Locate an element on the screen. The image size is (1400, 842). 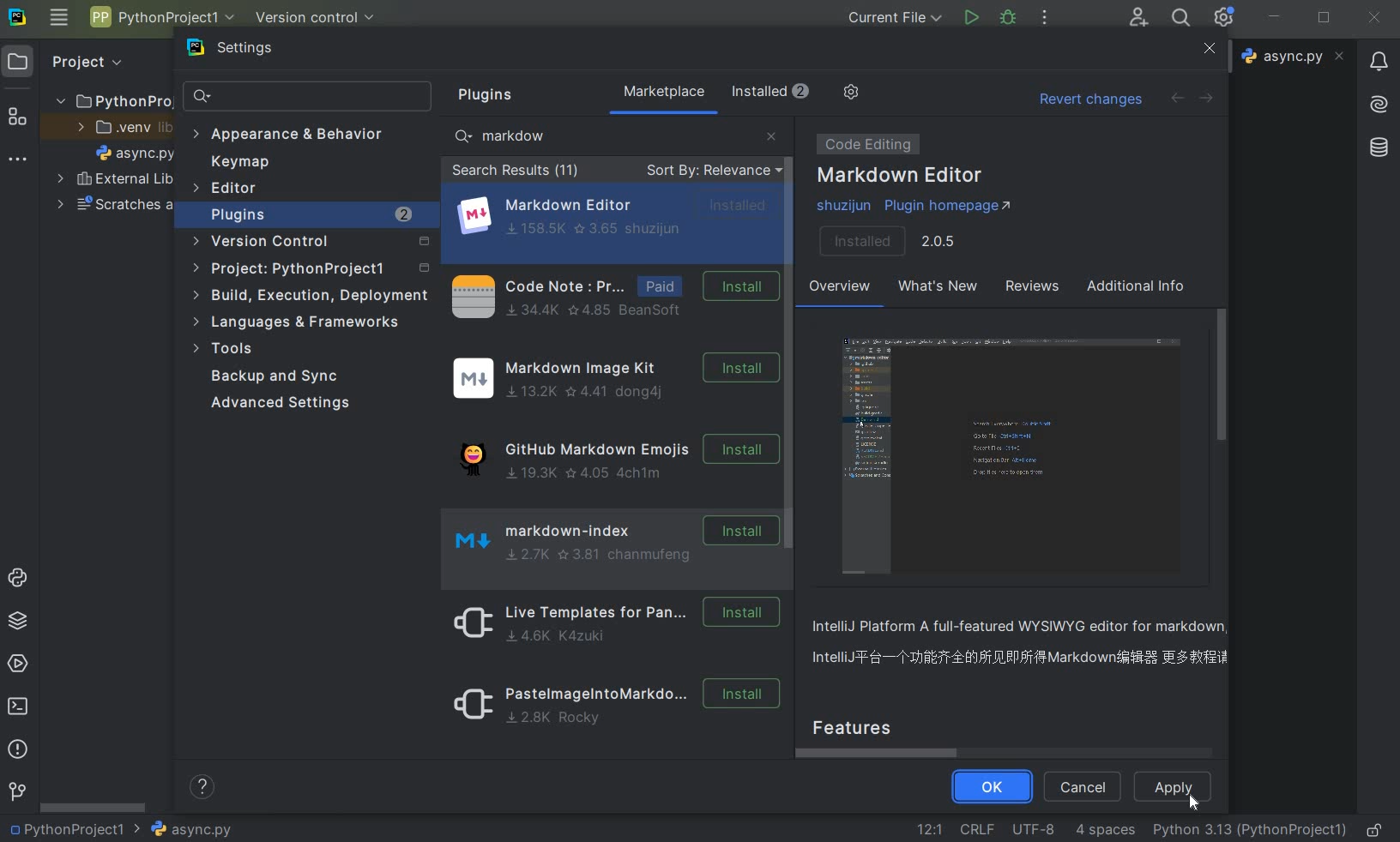
languages & frameworks is located at coordinates (305, 322).